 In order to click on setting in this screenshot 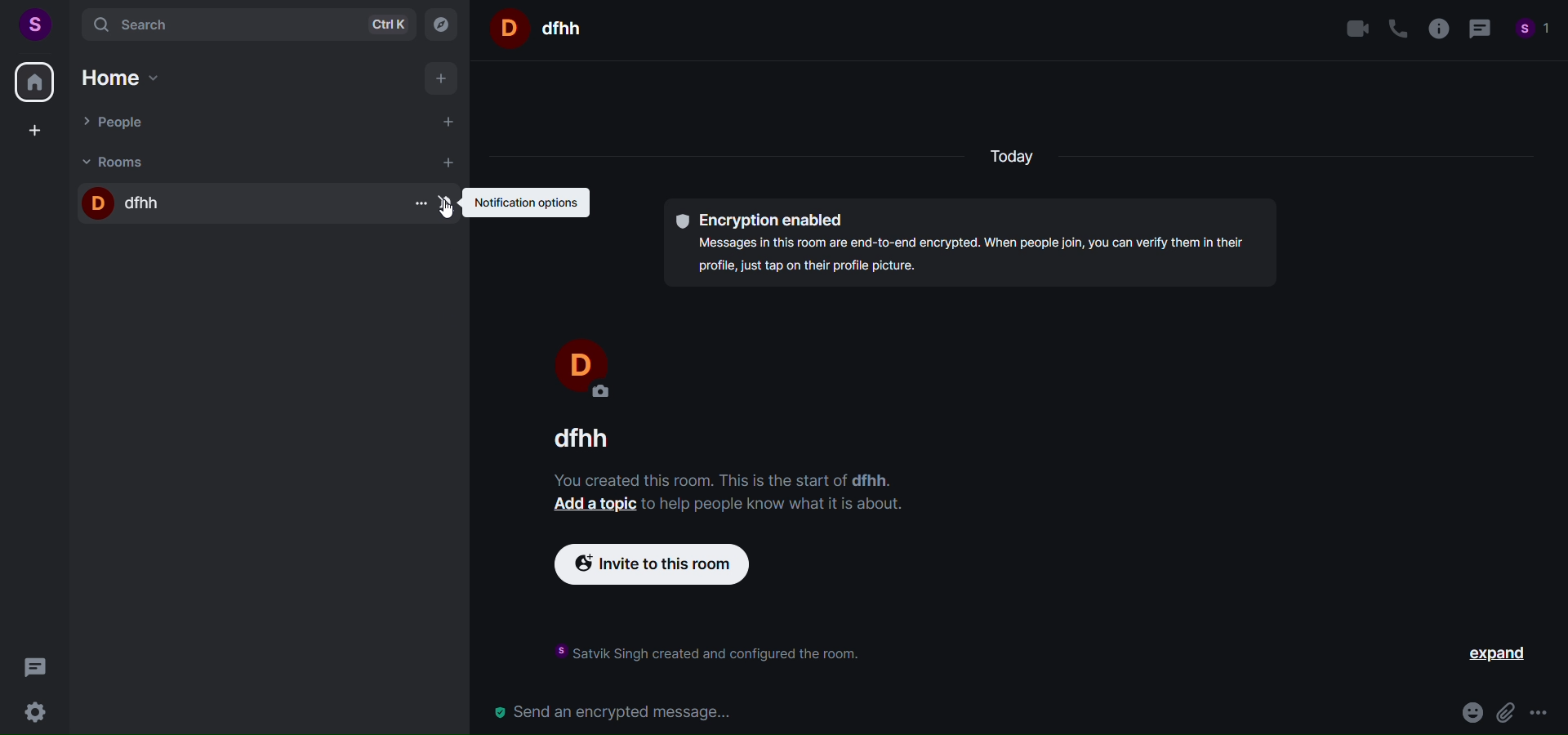, I will do `click(33, 712)`.